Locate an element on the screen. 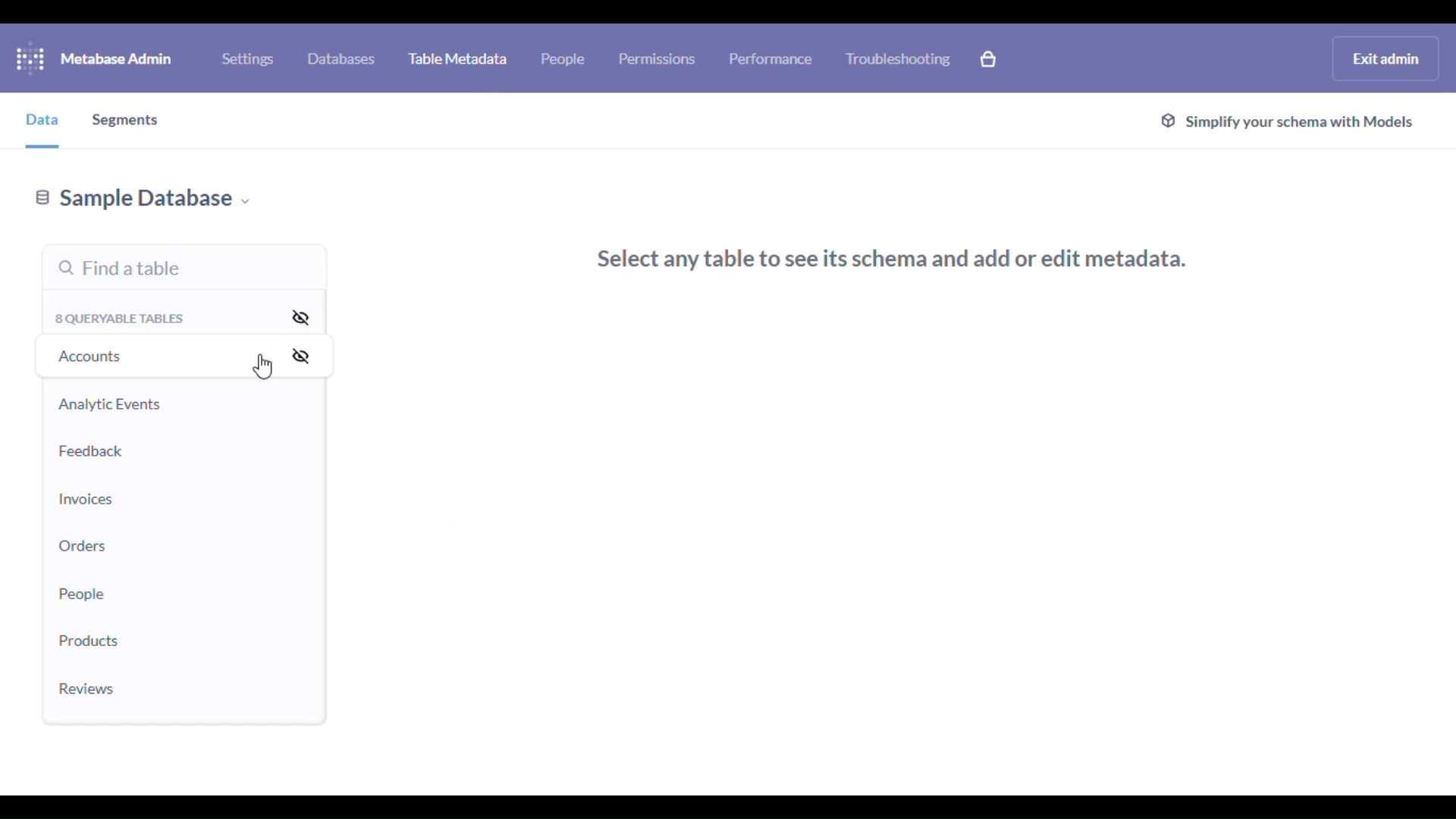  permissions is located at coordinates (658, 58).